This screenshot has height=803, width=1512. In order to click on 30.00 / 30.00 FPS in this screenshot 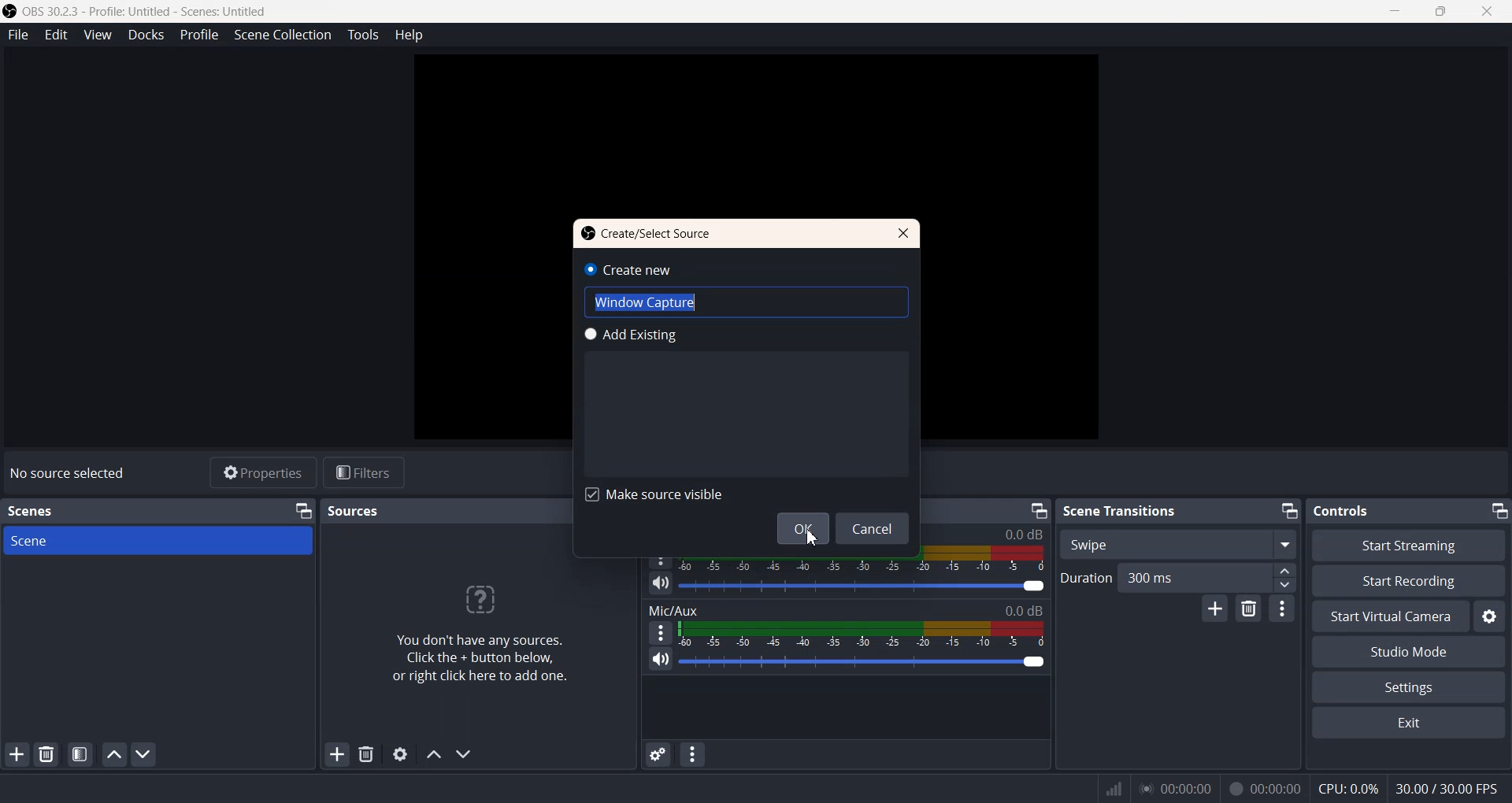, I will do `click(1447, 787)`.